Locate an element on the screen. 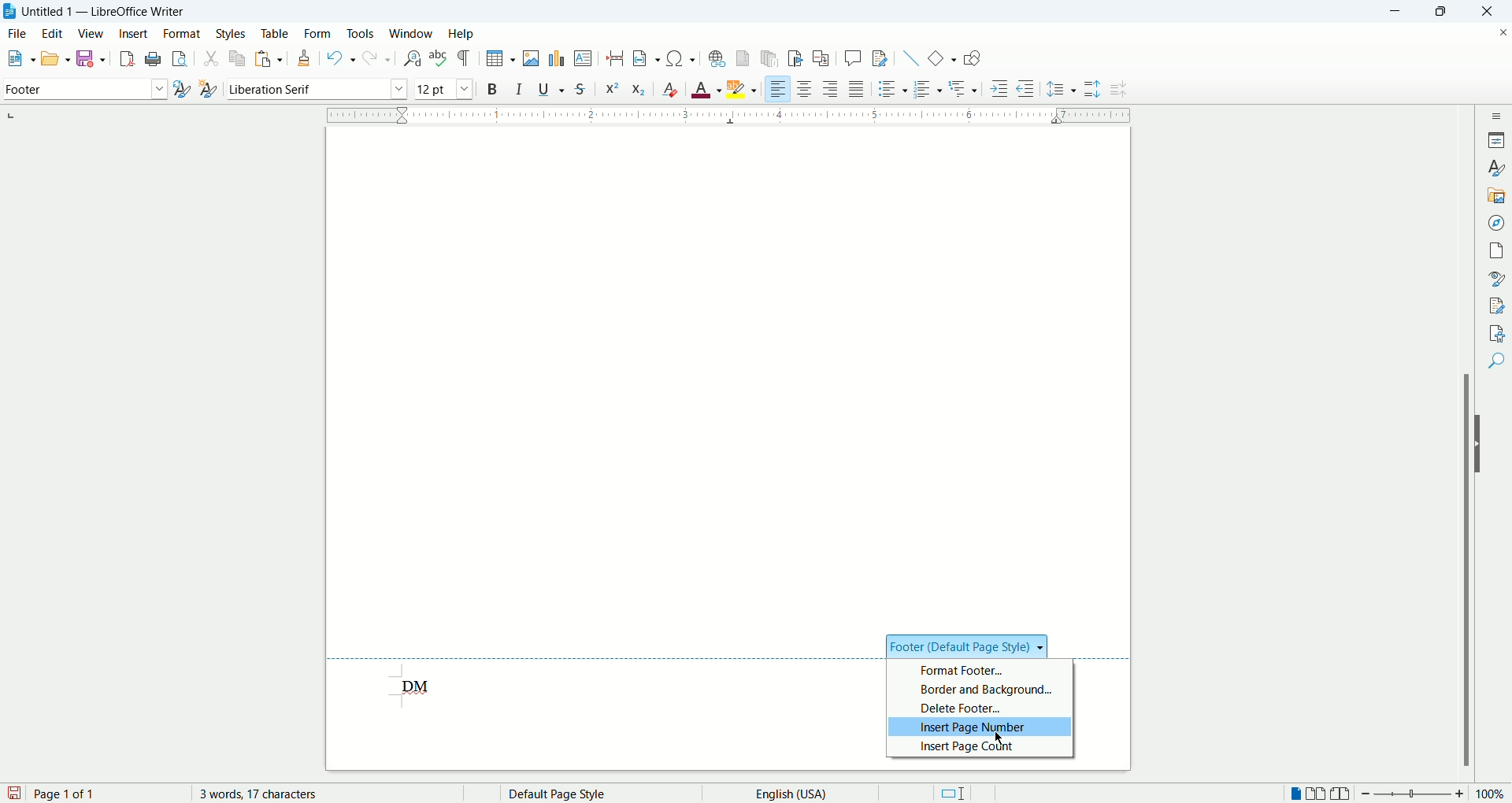 This screenshot has height=803, width=1512. subscript is located at coordinates (639, 91).